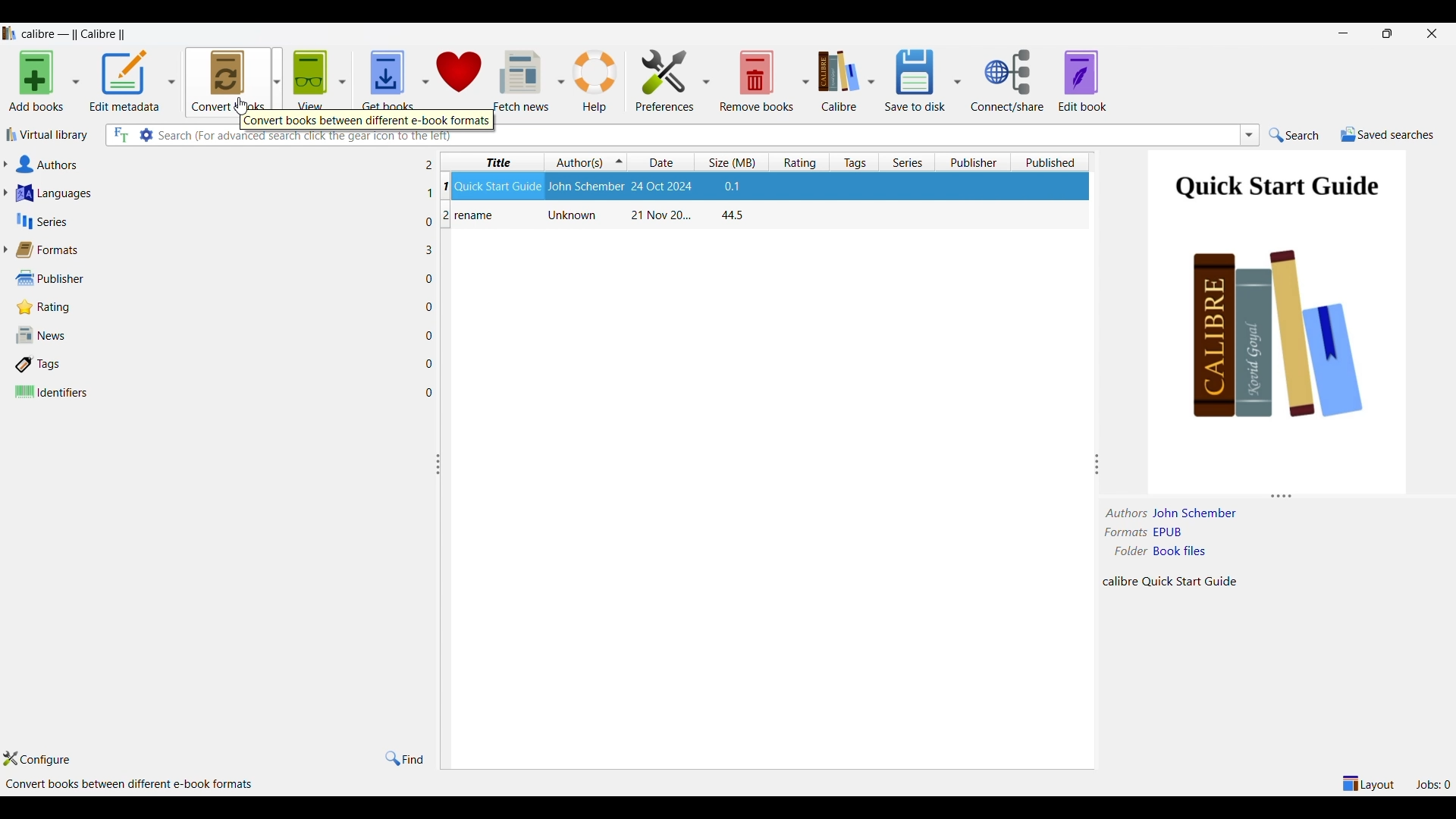 Image resolution: width=1456 pixels, height=819 pixels. Describe the element at coordinates (77, 34) in the screenshot. I see `Software name` at that location.